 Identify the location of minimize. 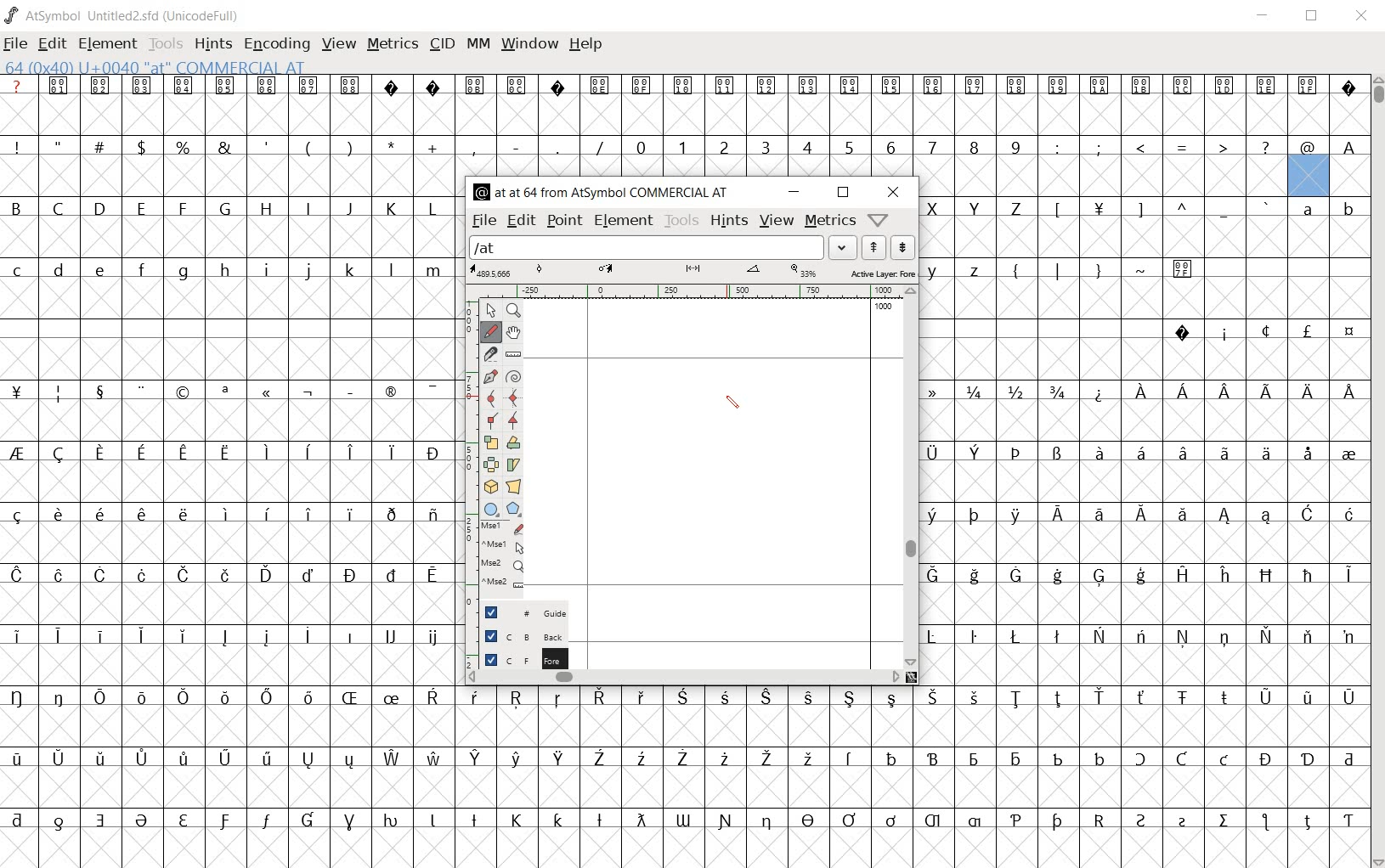
(794, 193).